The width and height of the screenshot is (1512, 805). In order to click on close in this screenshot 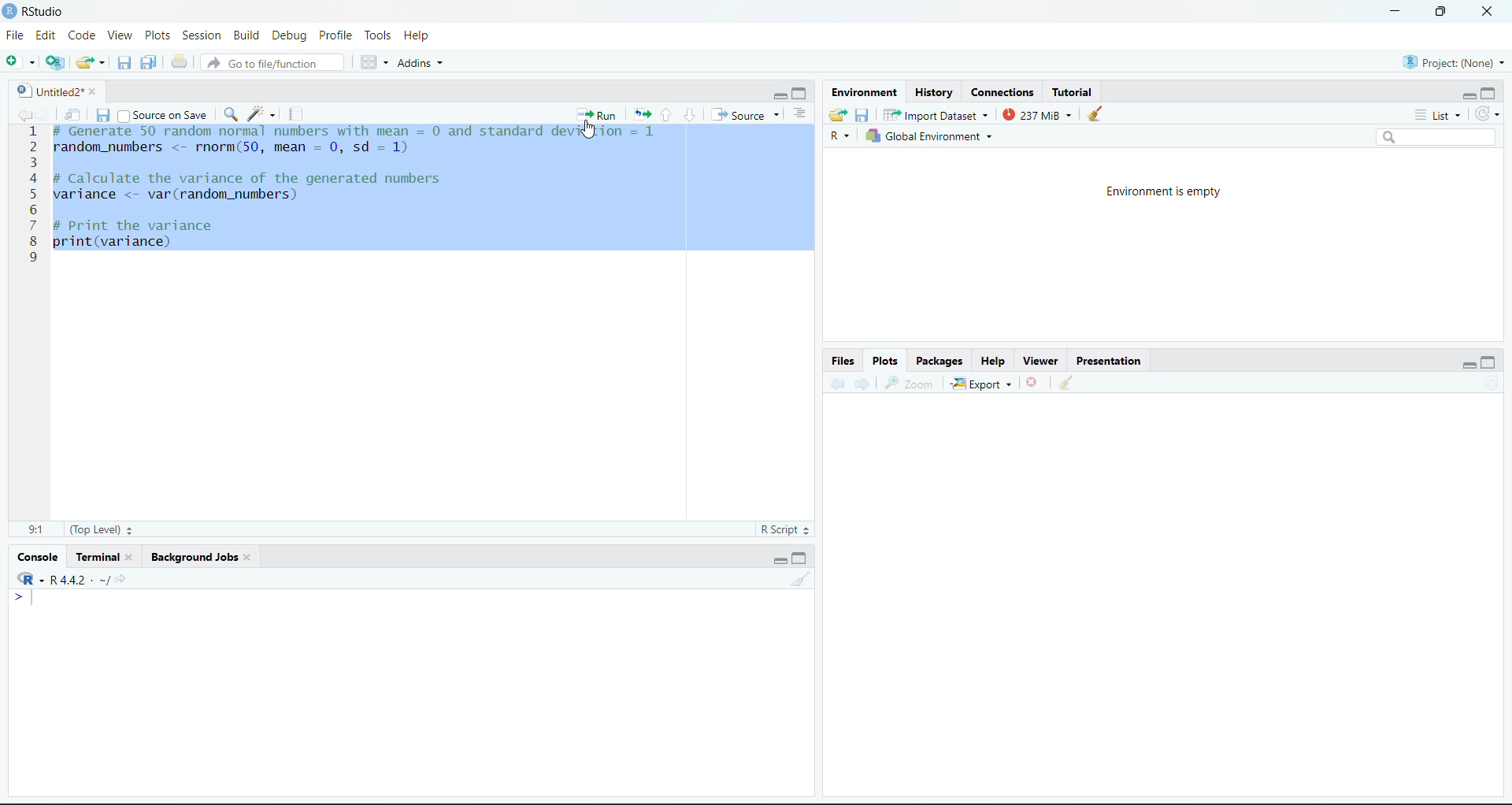, I will do `click(134, 557)`.